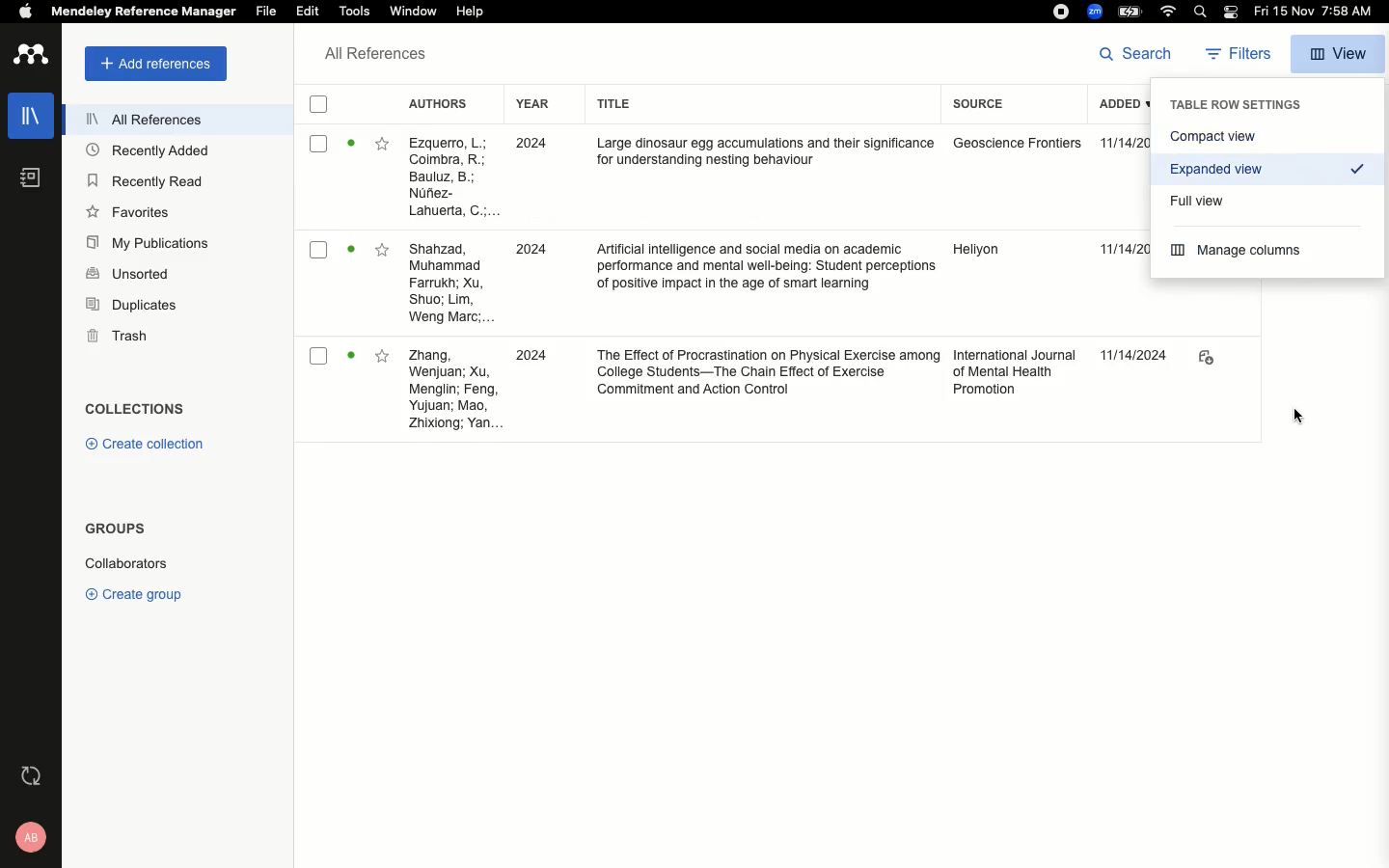  What do you see at coordinates (532, 104) in the screenshot?
I see `Year` at bounding box center [532, 104].